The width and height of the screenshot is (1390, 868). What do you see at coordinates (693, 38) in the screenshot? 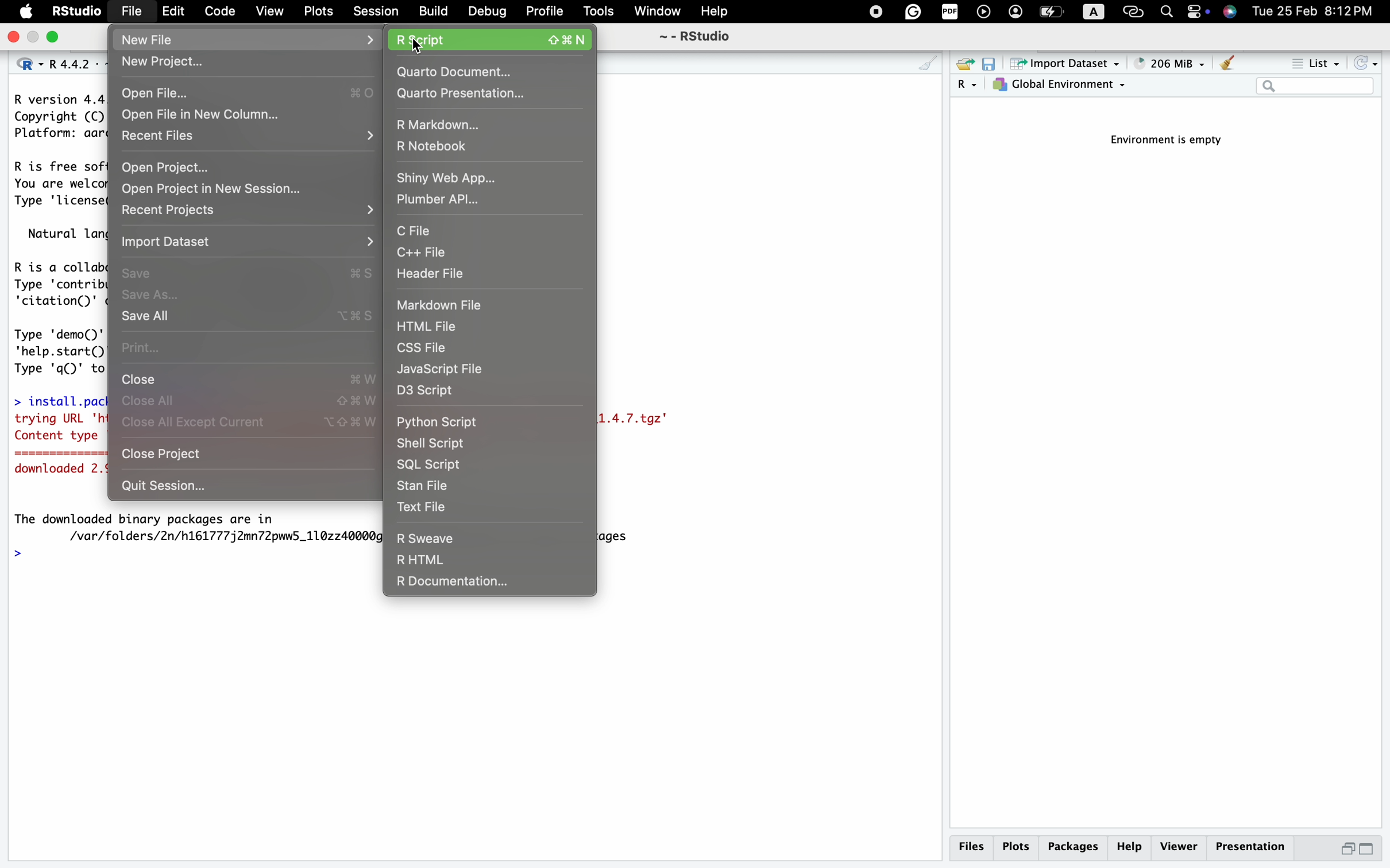
I see `~ - RSttudio` at bounding box center [693, 38].